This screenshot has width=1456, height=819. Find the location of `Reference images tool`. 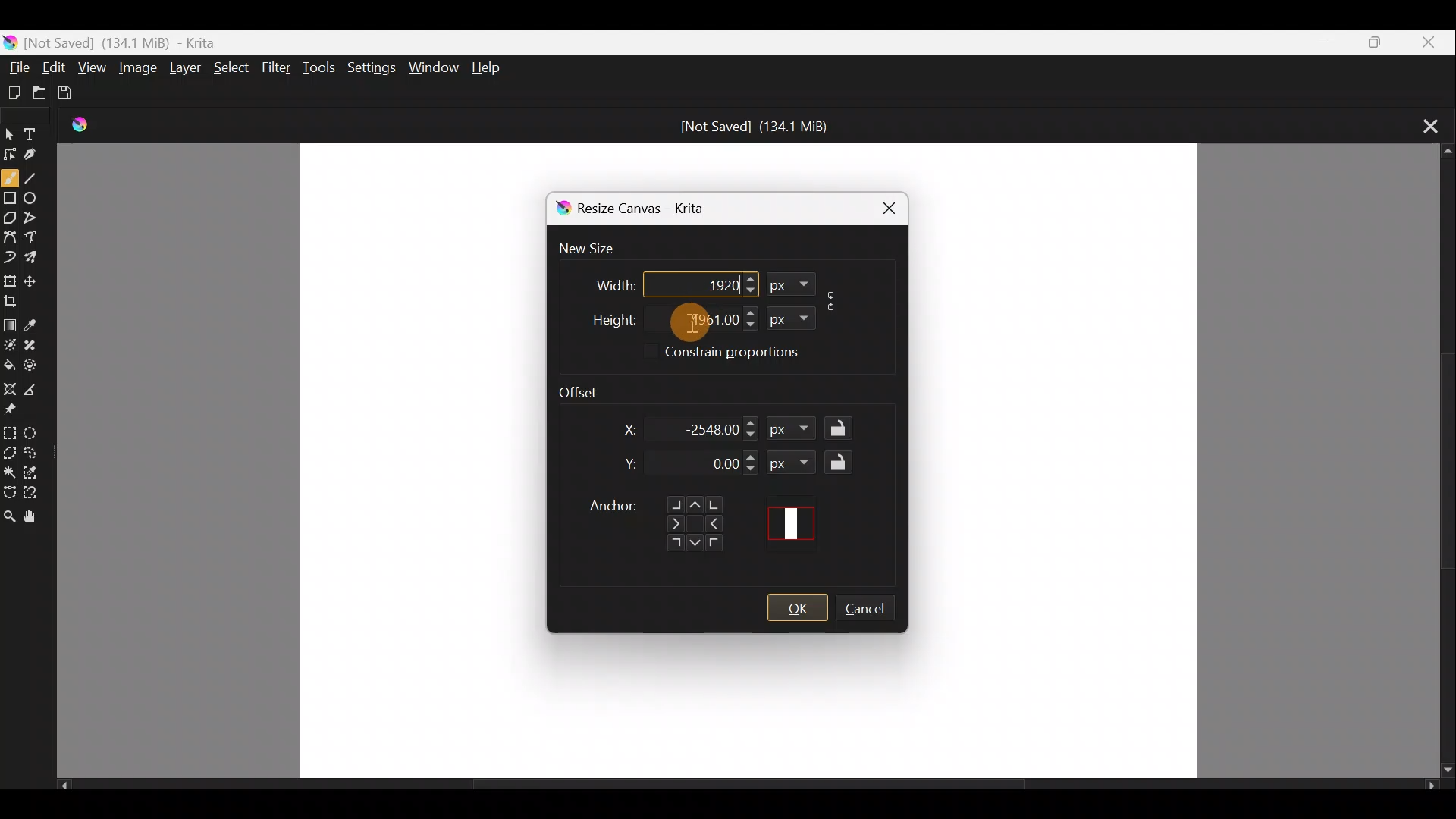

Reference images tool is located at coordinates (12, 411).